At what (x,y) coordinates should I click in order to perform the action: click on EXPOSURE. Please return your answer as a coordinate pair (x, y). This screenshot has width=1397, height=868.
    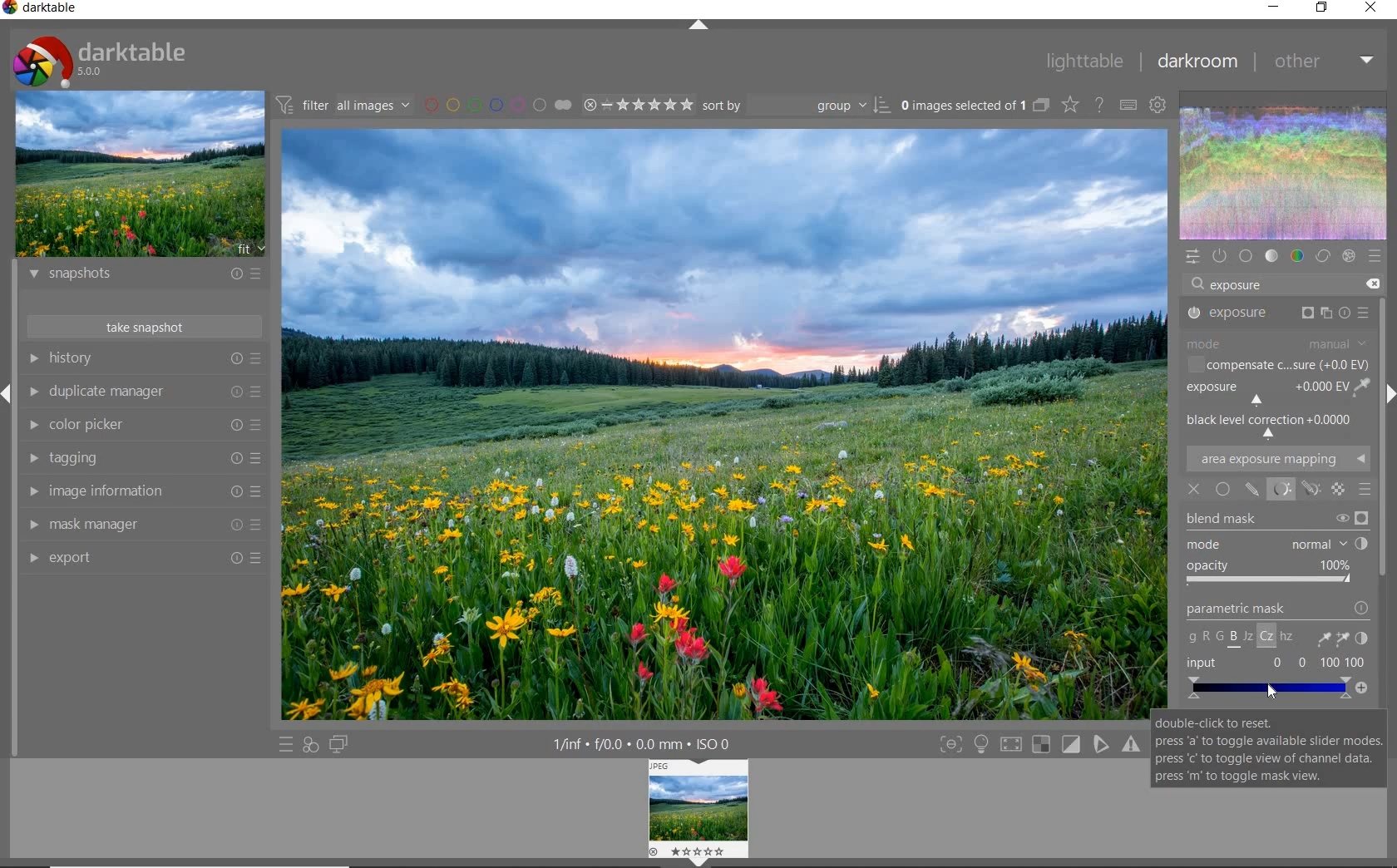
    Looking at the image, I should click on (1281, 313).